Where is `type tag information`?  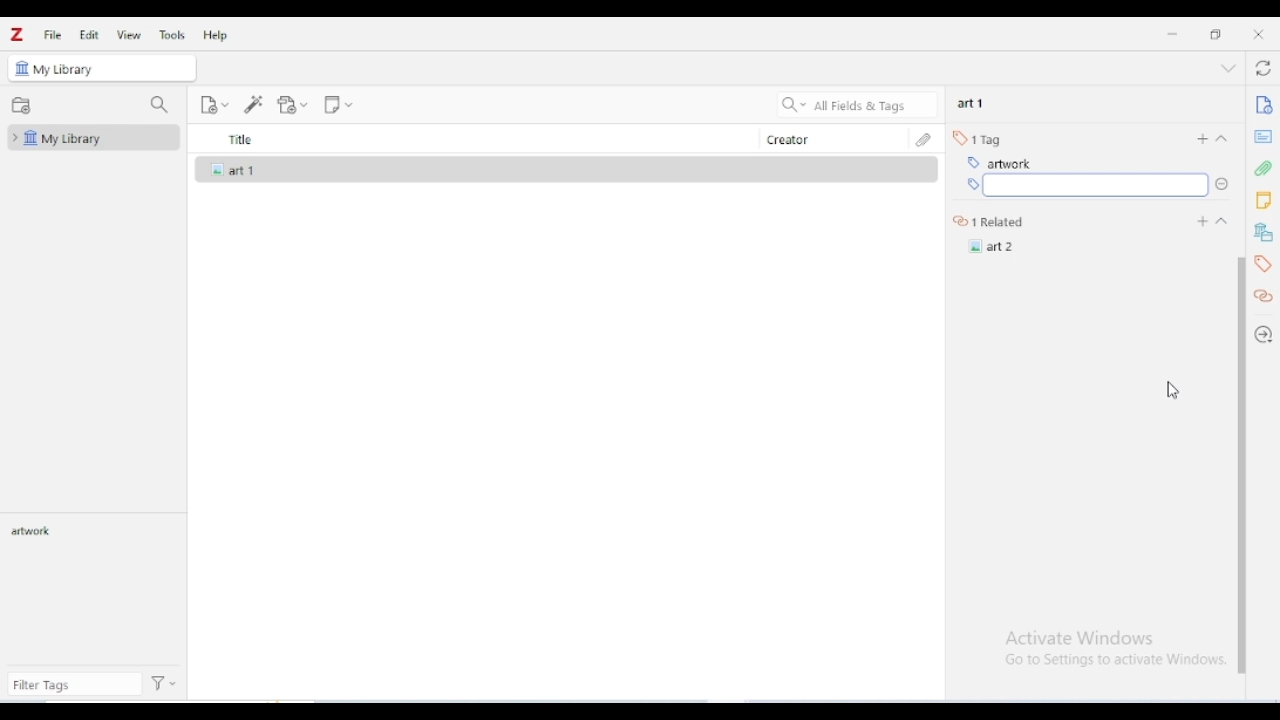 type tag information is located at coordinates (1087, 187).